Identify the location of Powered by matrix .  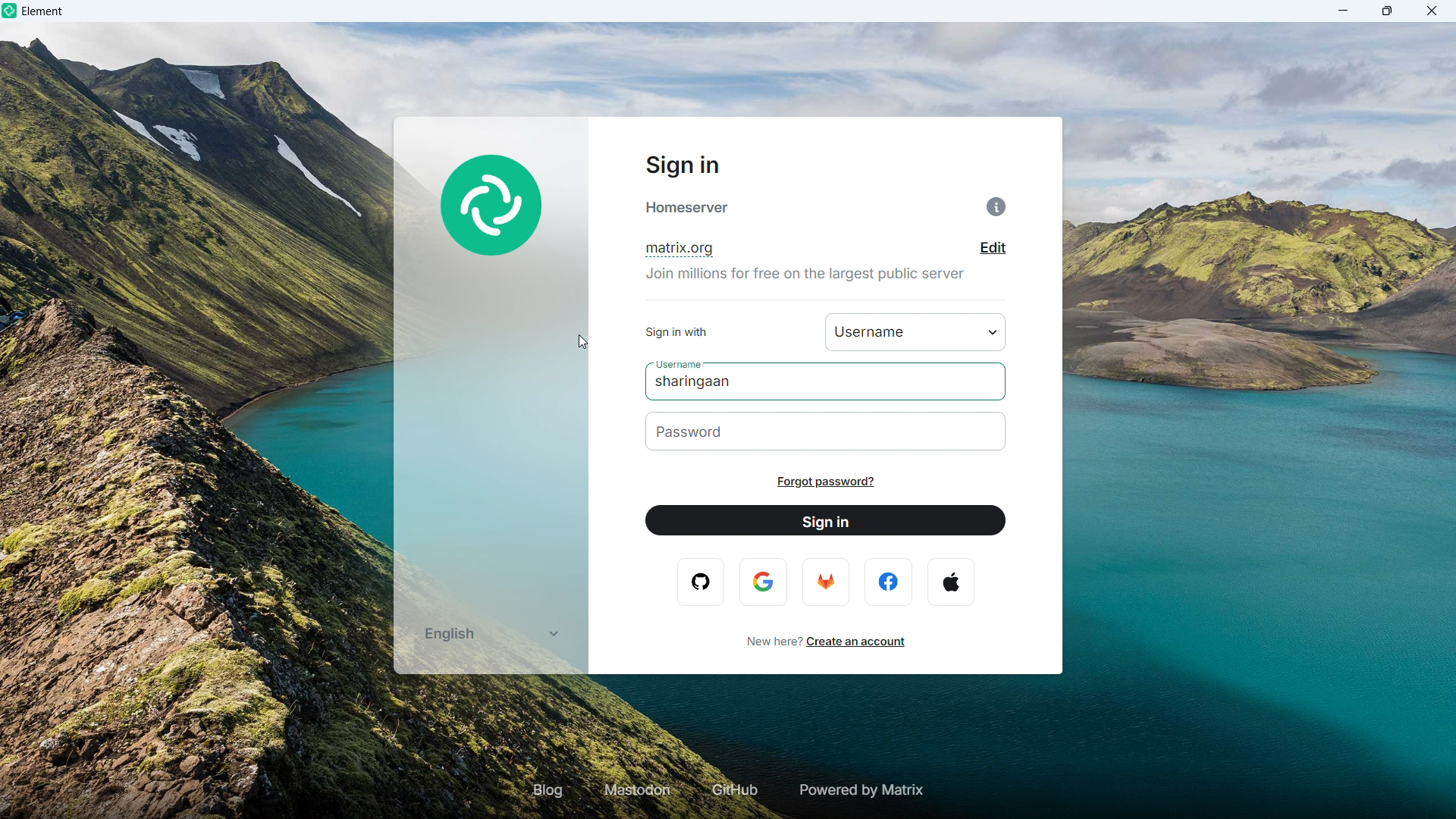
(859, 790).